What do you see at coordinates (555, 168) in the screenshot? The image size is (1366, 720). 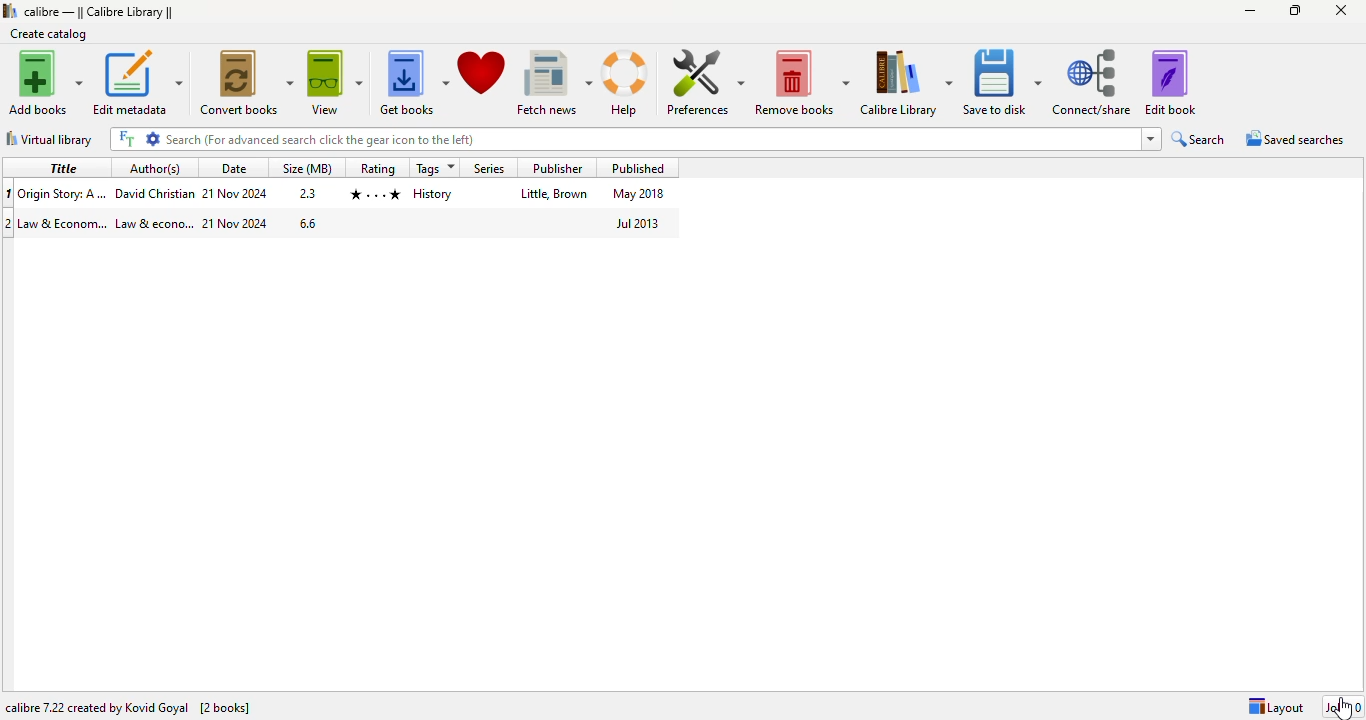 I see `publisher` at bounding box center [555, 168].